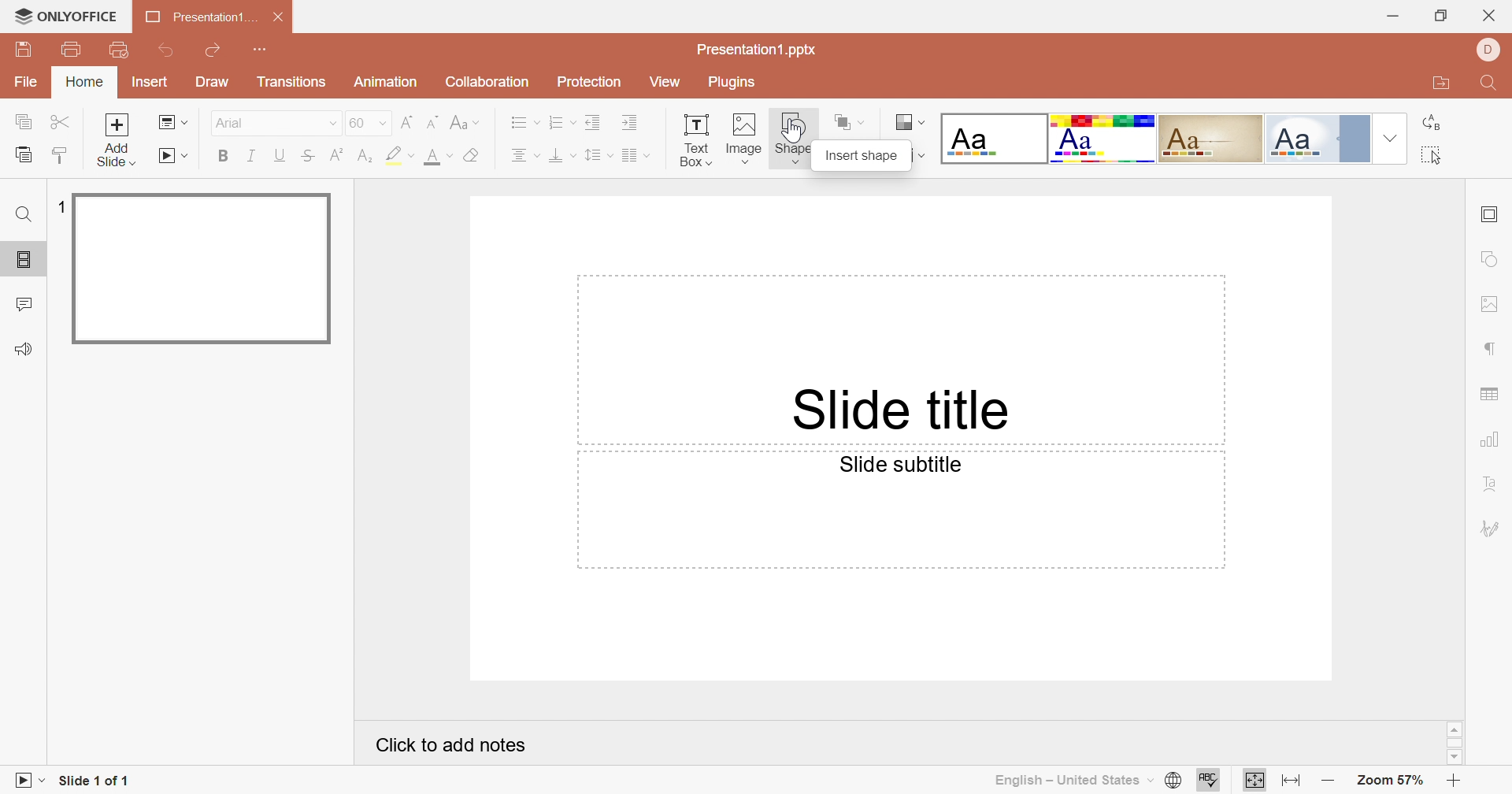  What do you see at coordinates (22, 154) in the screenshot?
I see `Paste` at bounding box center [22, 154].